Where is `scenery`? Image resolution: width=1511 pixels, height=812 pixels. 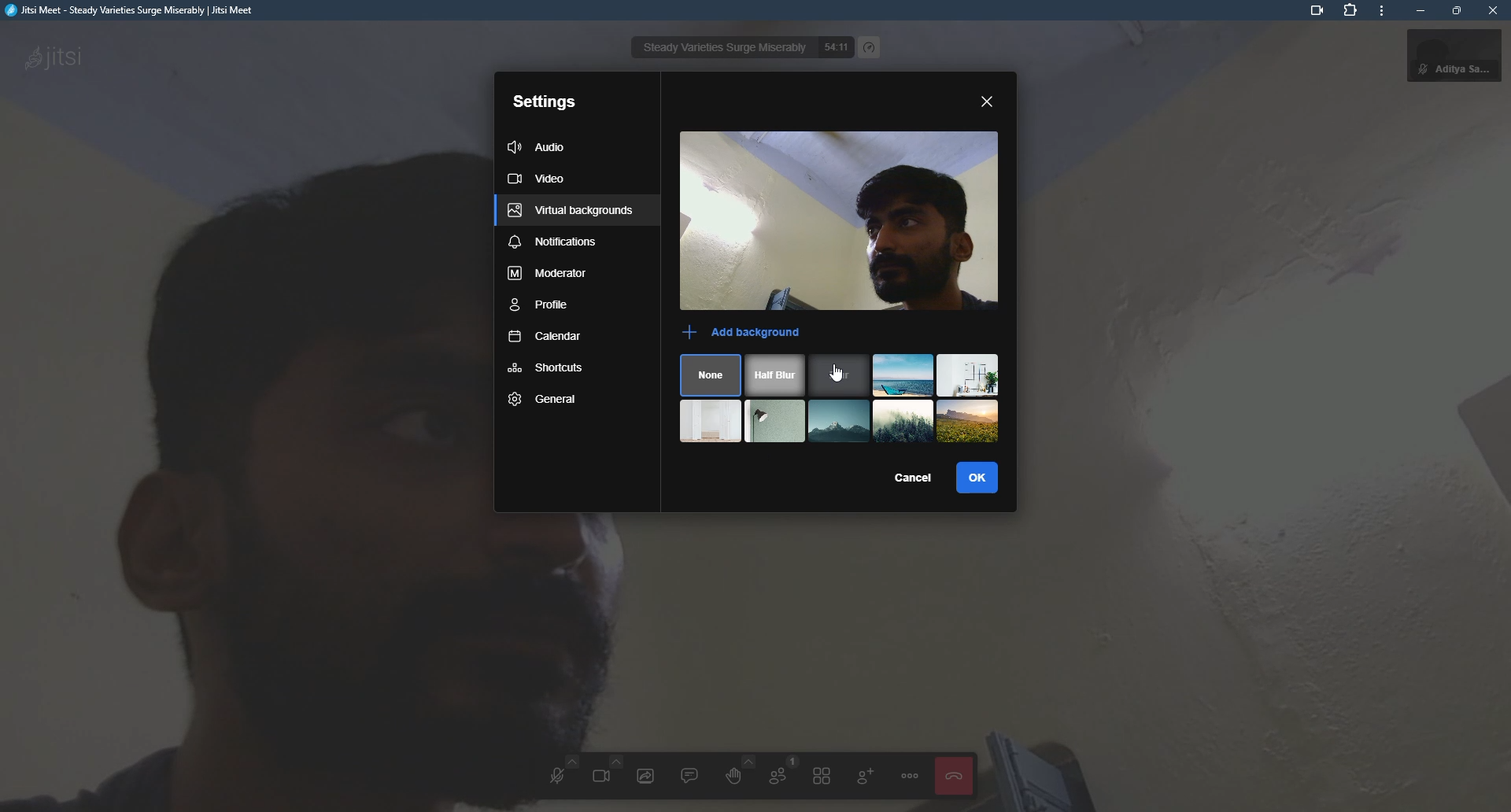
scenery is located at coordinates (903, 420).